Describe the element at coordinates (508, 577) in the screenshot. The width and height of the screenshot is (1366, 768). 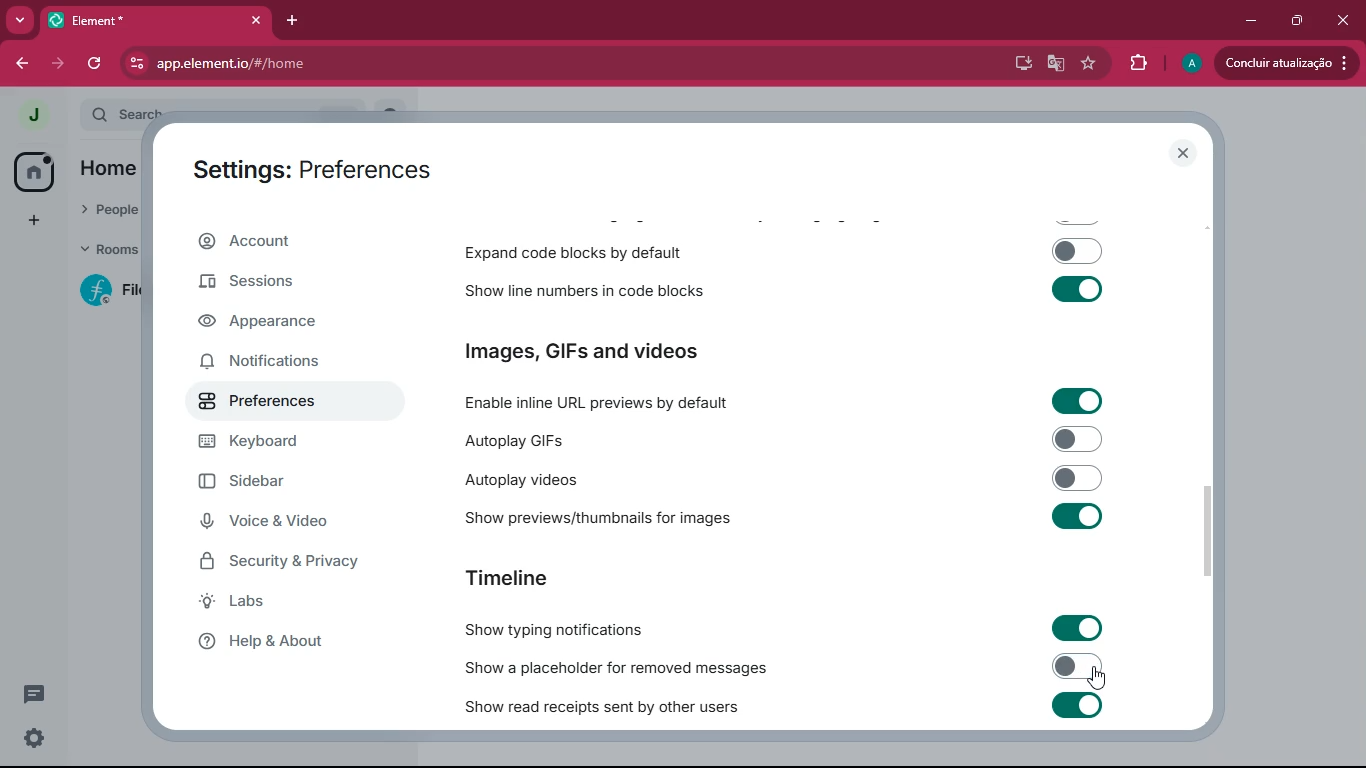
I see `timeline` at that location.